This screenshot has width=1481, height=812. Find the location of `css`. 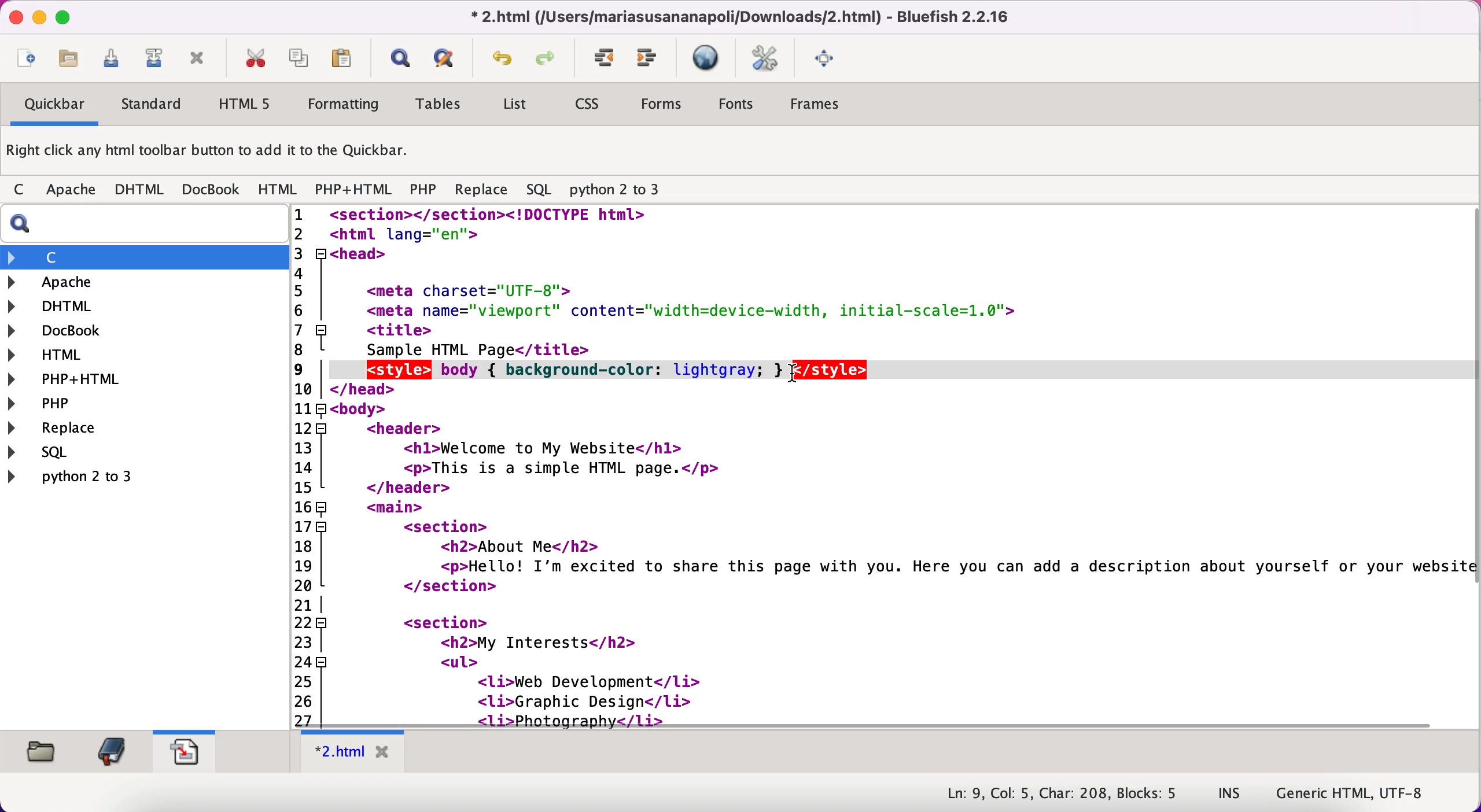

css is located at coordinates (589, 105).